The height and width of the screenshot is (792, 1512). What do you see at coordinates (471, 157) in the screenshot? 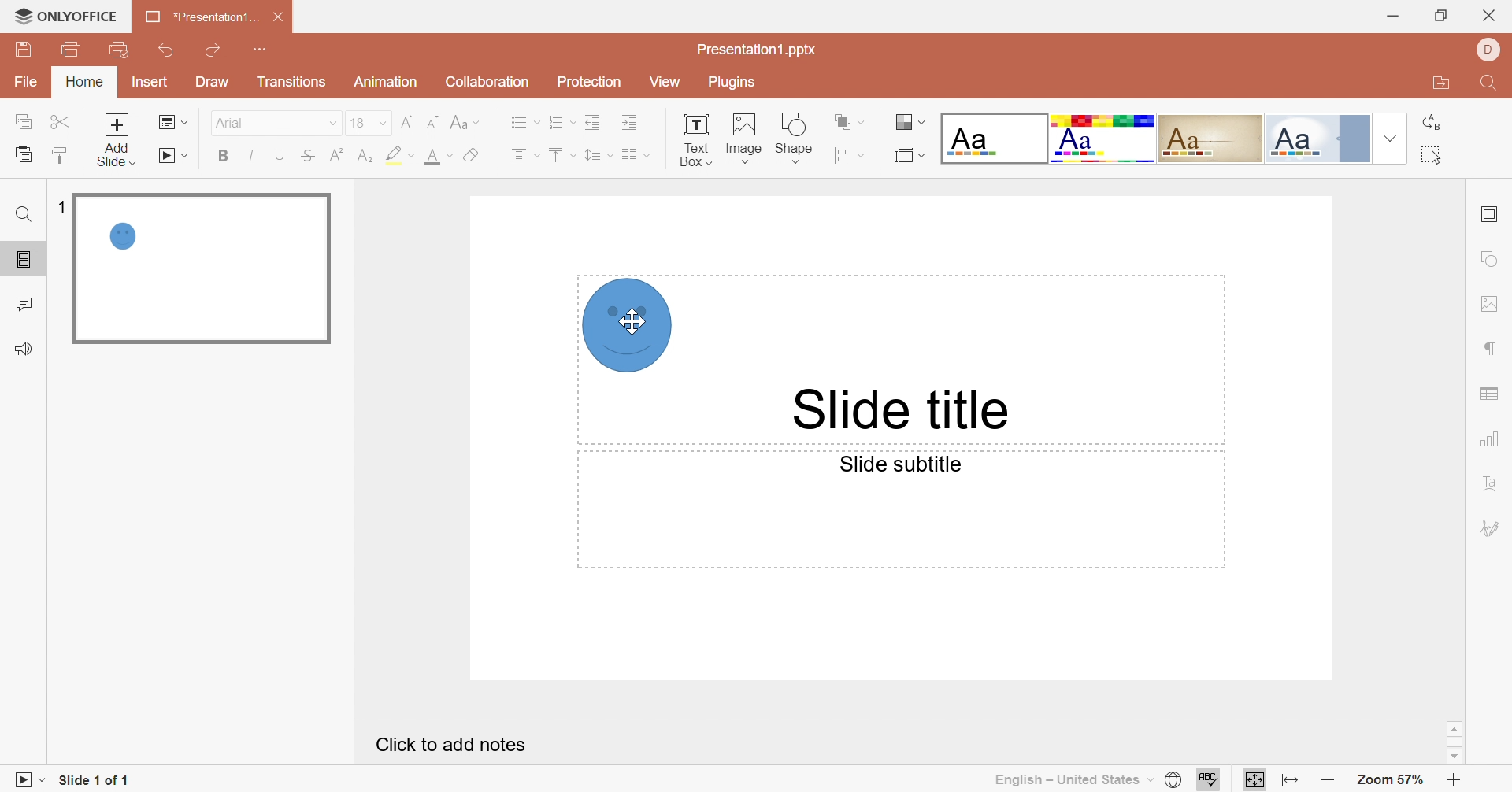
I see `Clear` at bounding box center [471, 157].